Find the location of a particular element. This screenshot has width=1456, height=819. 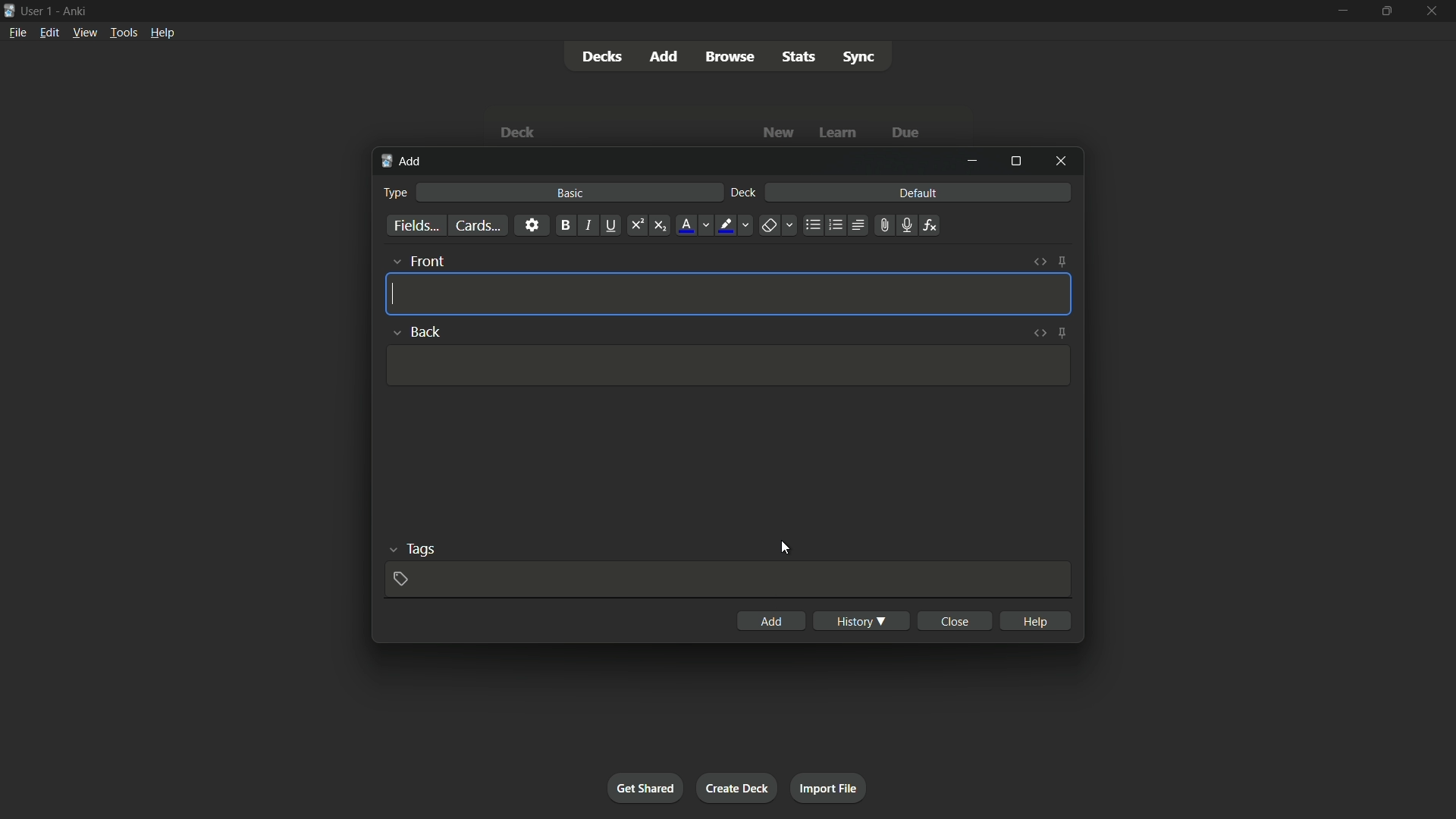

front is located at coordinates (419, 259).